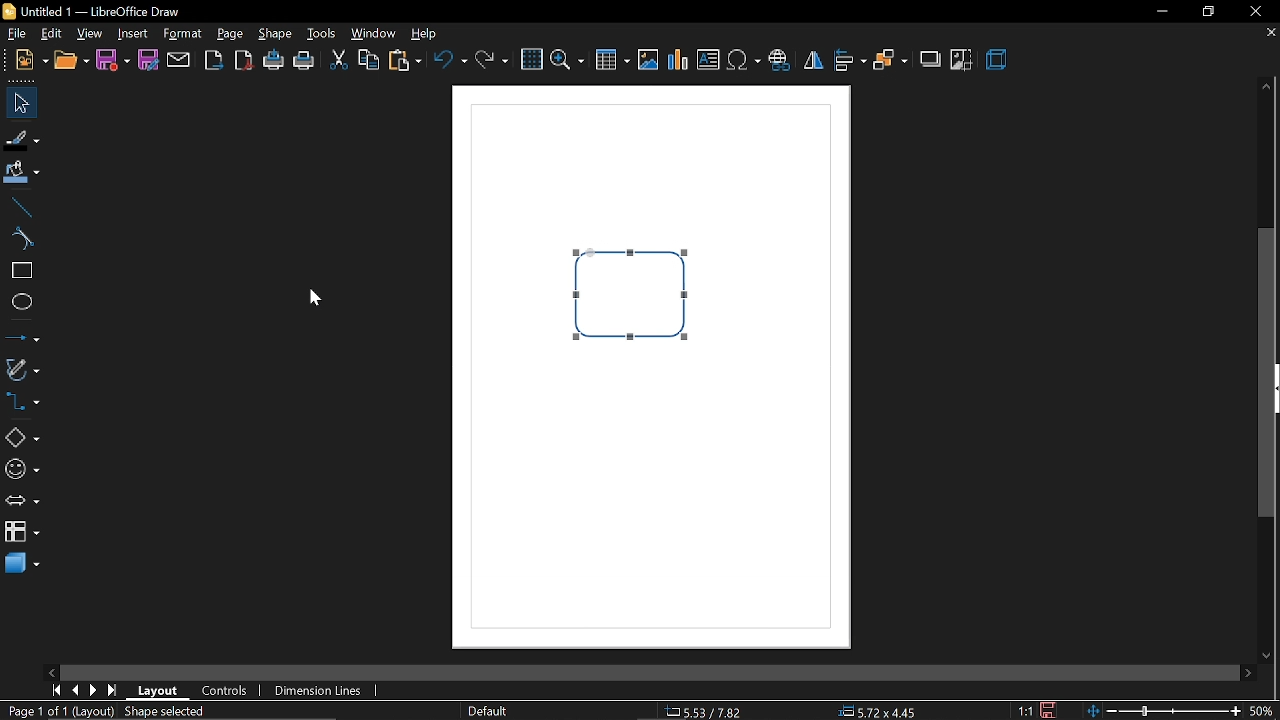  Describe the element at coordinates (609, 279) in the screenshot. I see `thickness increased` at that location.